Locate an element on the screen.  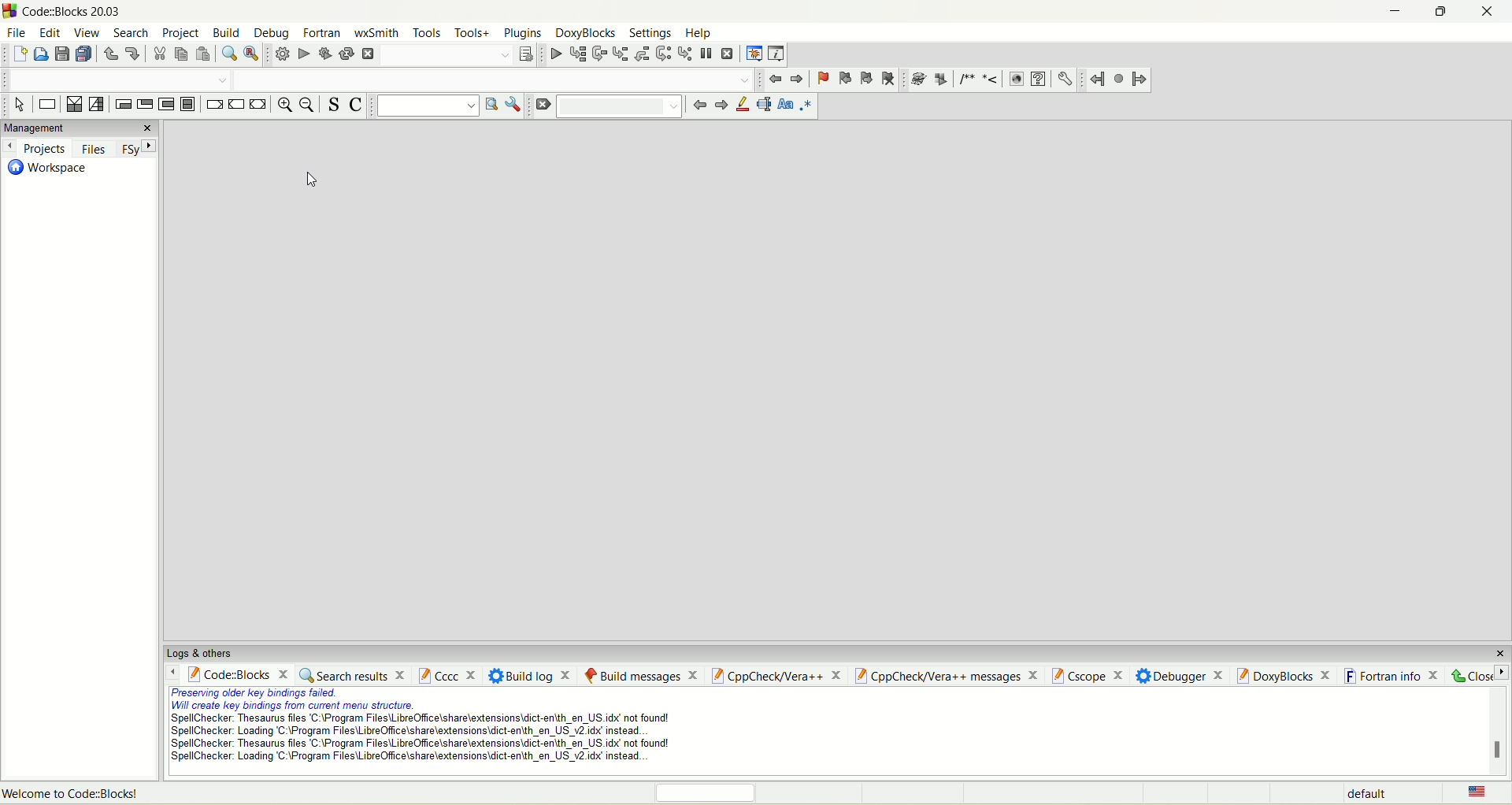
debugger is located at coordinates (1180, 674).